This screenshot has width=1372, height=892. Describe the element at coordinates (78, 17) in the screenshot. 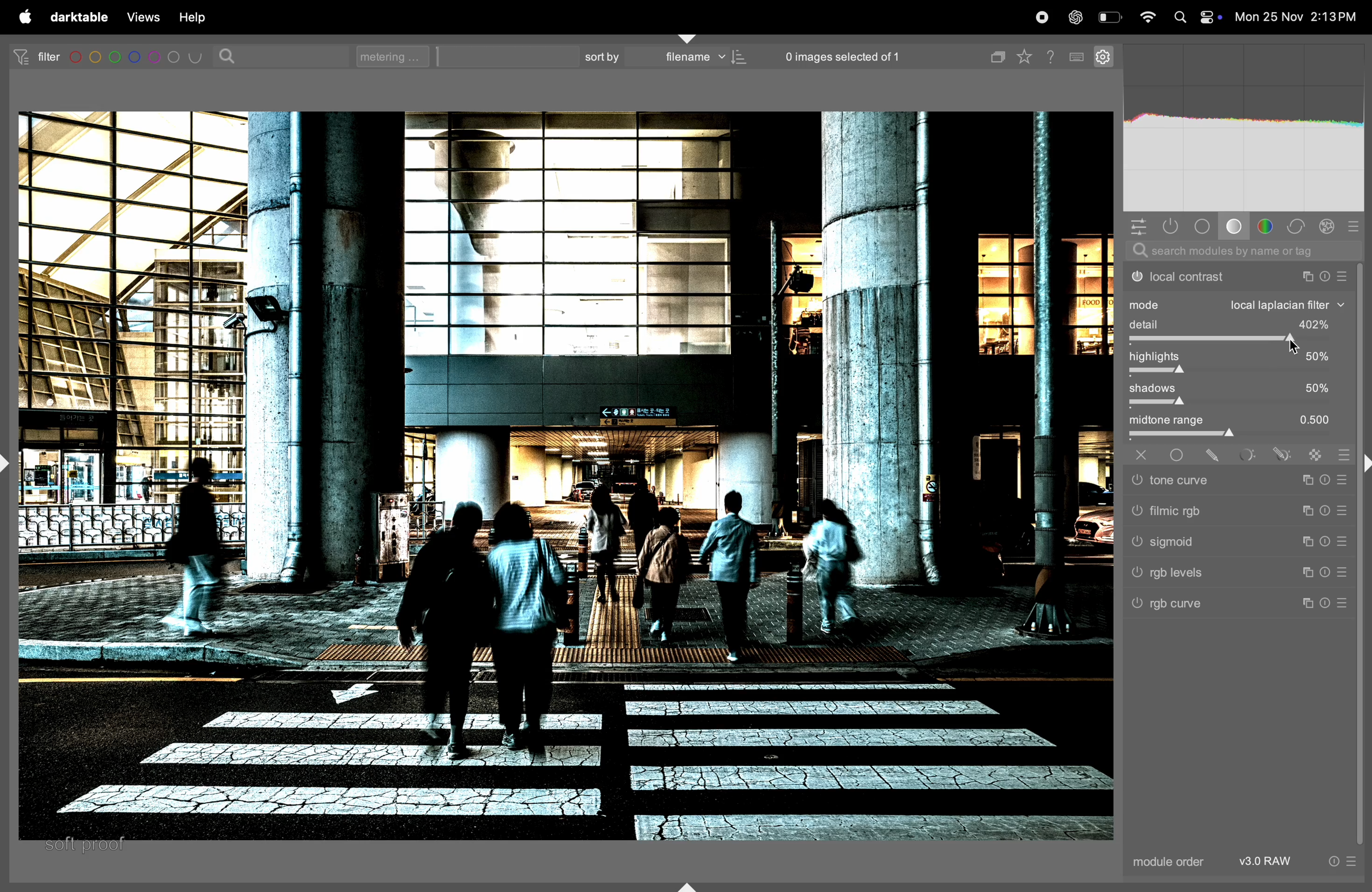

I see `darktable` at that location.